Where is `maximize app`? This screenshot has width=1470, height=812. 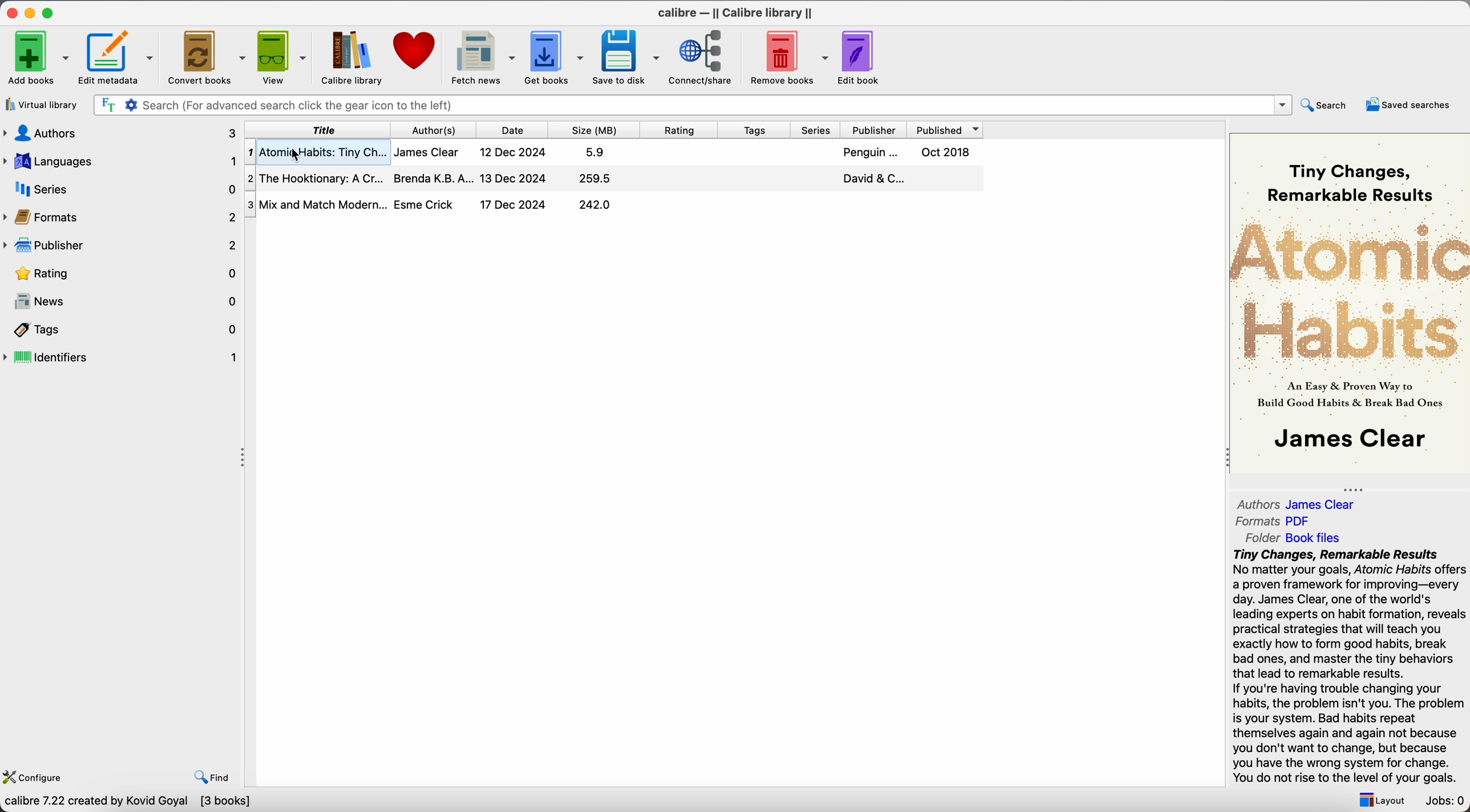
maximize app is located at coordinates (50, 13).